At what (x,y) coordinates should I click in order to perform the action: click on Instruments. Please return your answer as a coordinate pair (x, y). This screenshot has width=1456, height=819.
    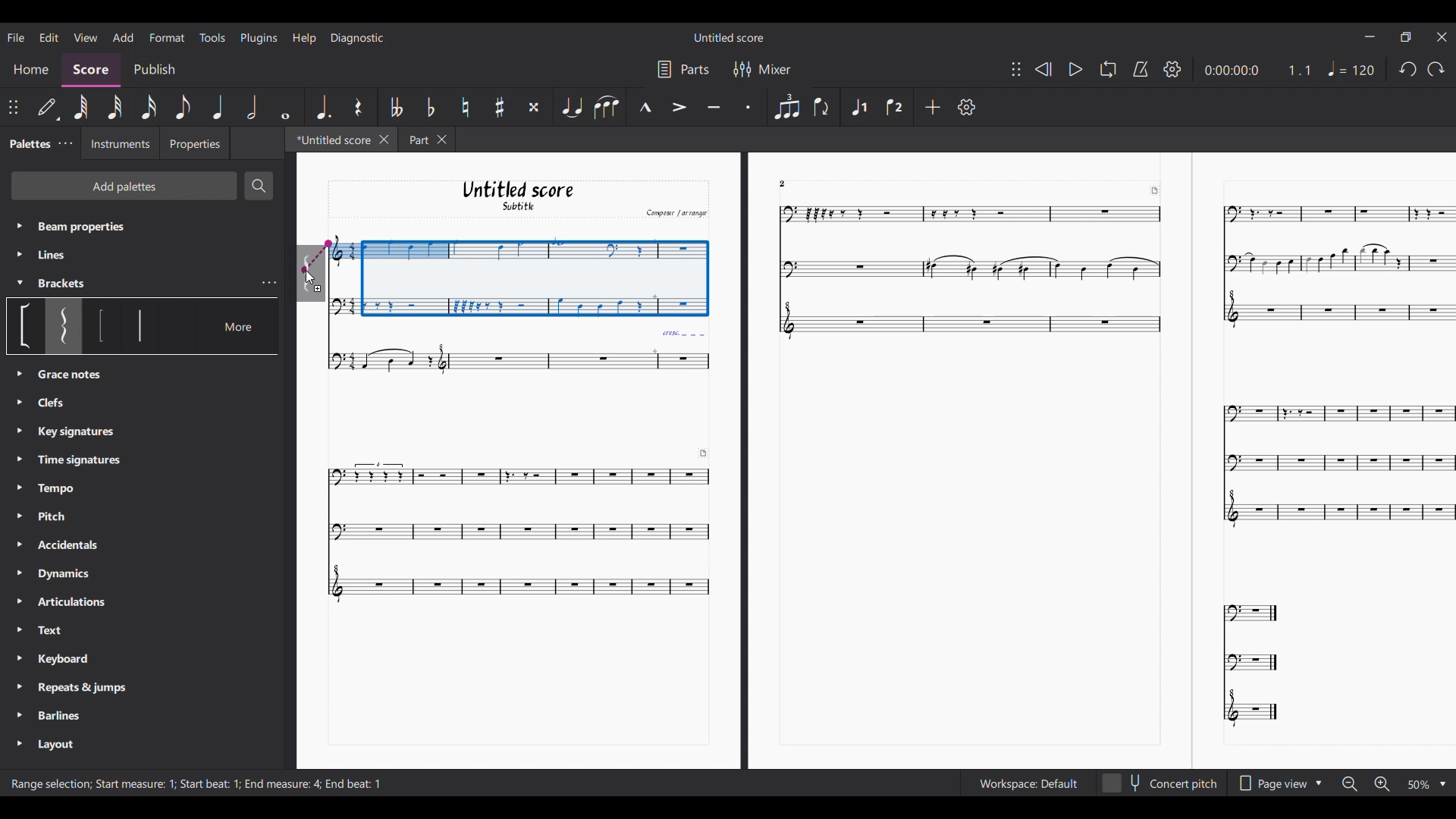
    Looking at the image, I should click on (119, 144).